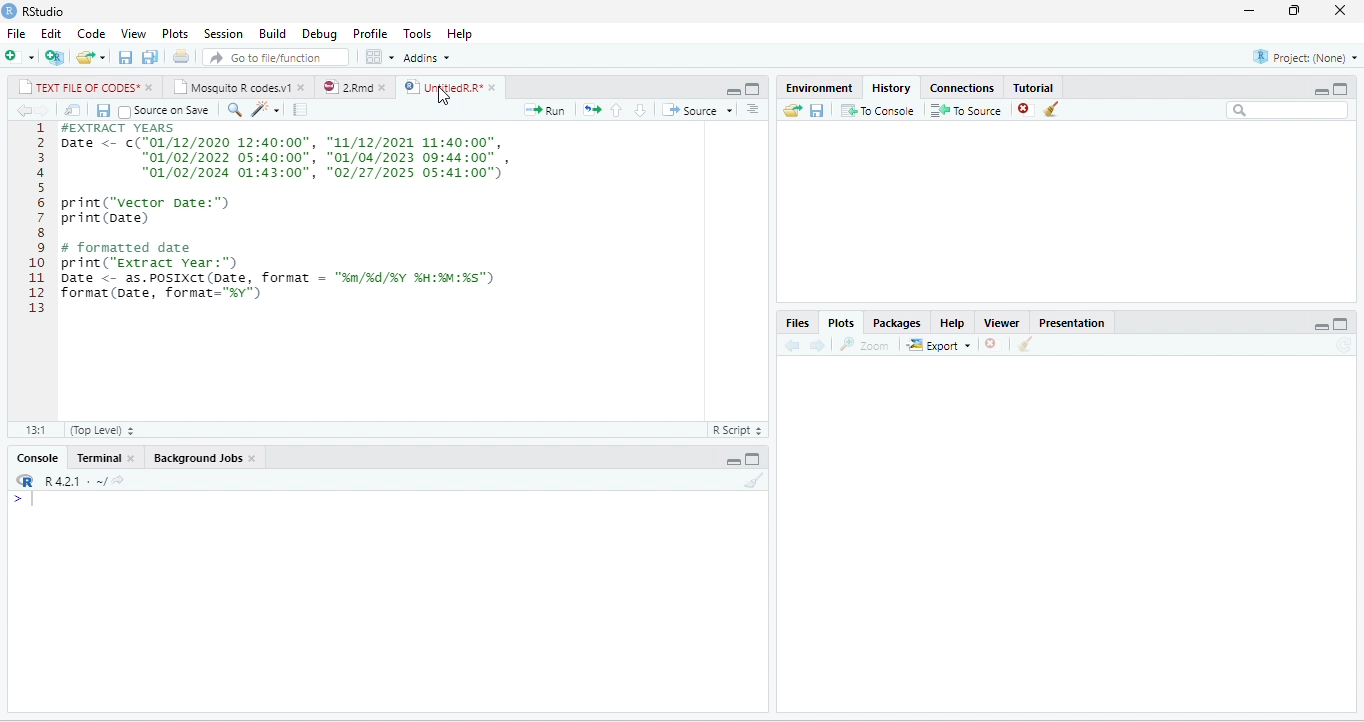 The image size is (1364, 722). What do you see at coordinates (126, 57) in the screenshot?
I see `save` at bounding box center [126, 57].